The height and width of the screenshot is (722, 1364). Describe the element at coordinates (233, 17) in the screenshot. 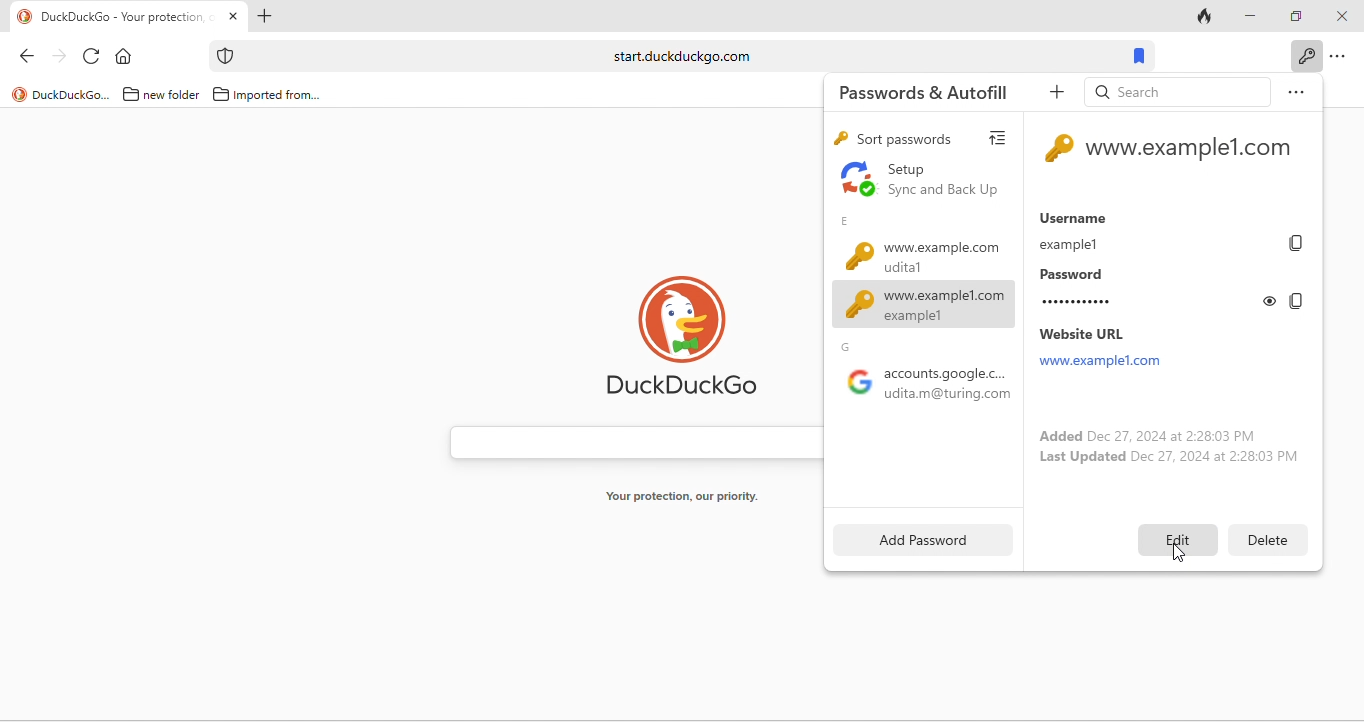

I see `close tab` at that location.